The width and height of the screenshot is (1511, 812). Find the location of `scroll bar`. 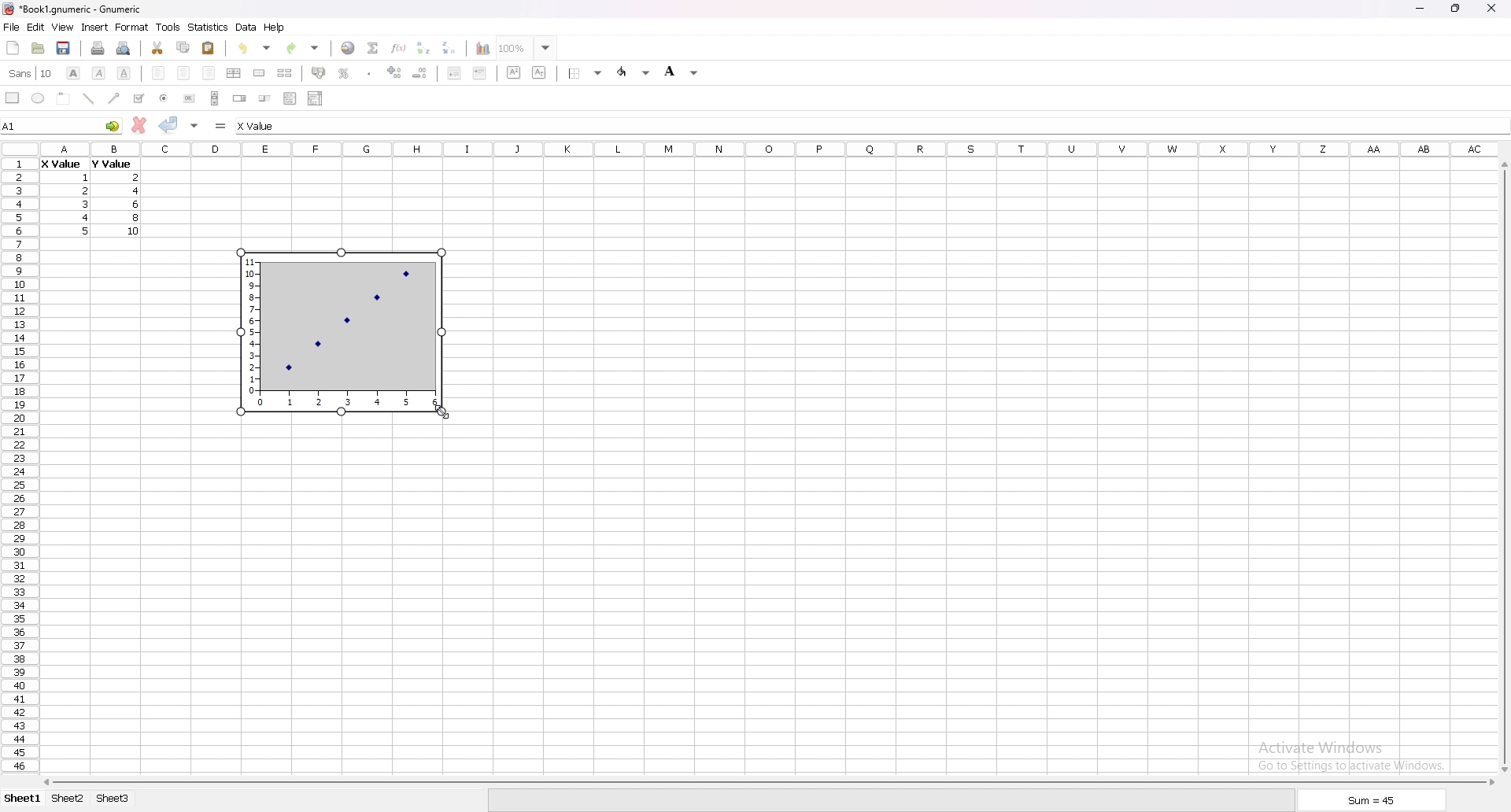

scroll bar is located at coordinates (767, 782).